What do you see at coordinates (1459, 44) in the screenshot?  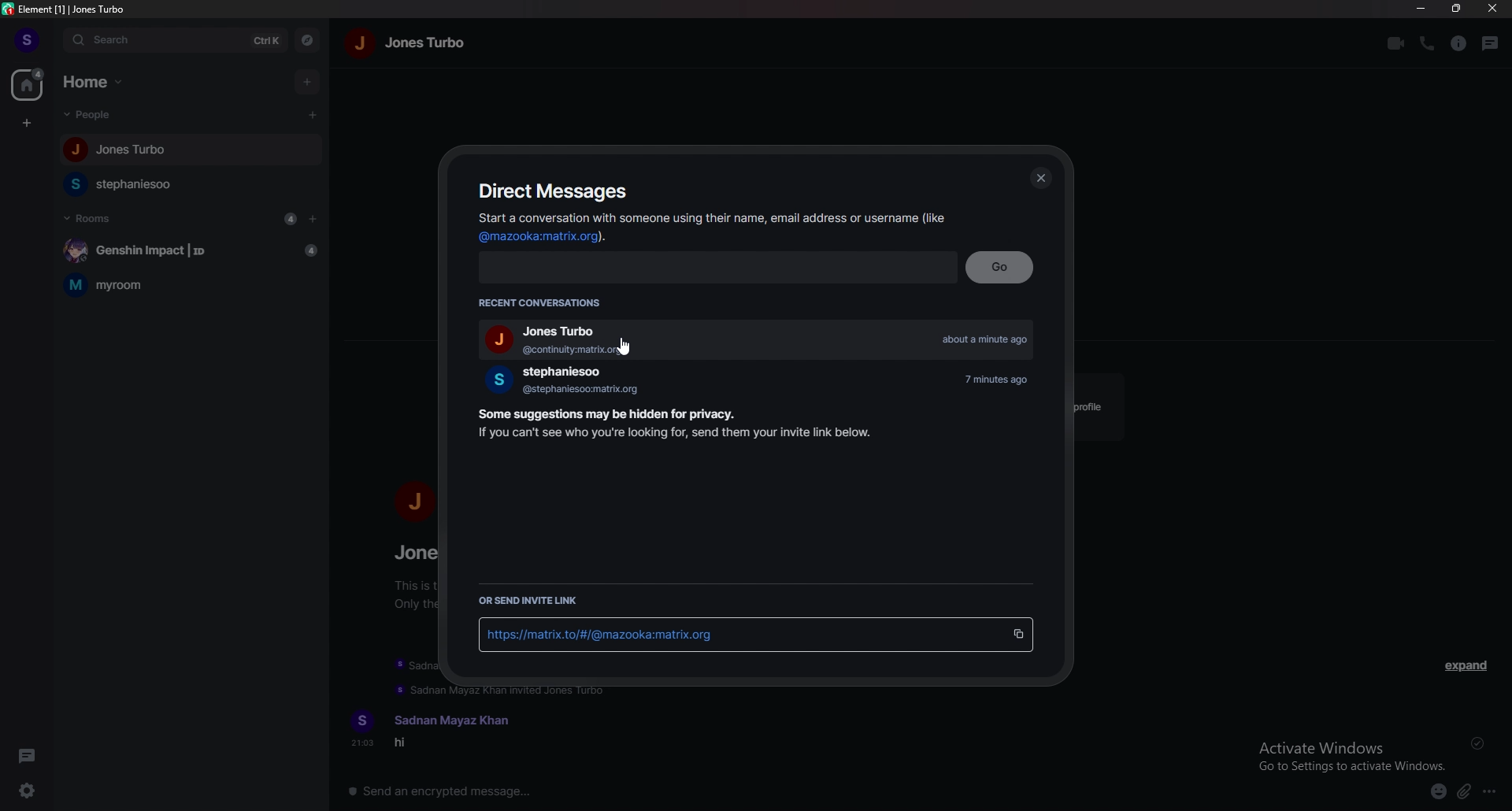 I see `room info` at bounding box center [1459, 44].